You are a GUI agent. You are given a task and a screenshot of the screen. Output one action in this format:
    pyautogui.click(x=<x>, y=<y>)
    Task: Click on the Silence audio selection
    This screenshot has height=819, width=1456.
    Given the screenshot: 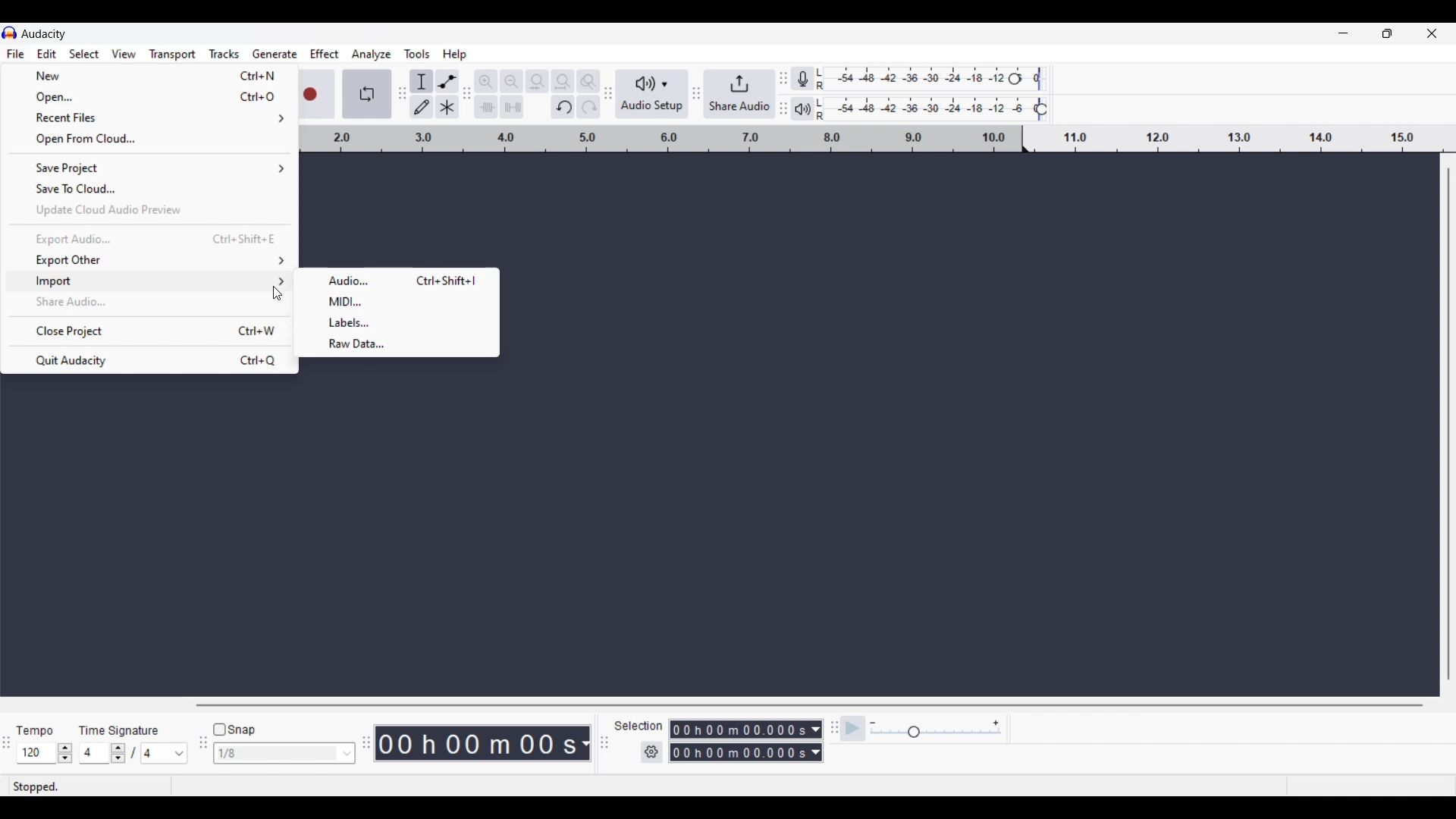 What is the action you would take?
    pyautogui.click(x=513, y=107)
    